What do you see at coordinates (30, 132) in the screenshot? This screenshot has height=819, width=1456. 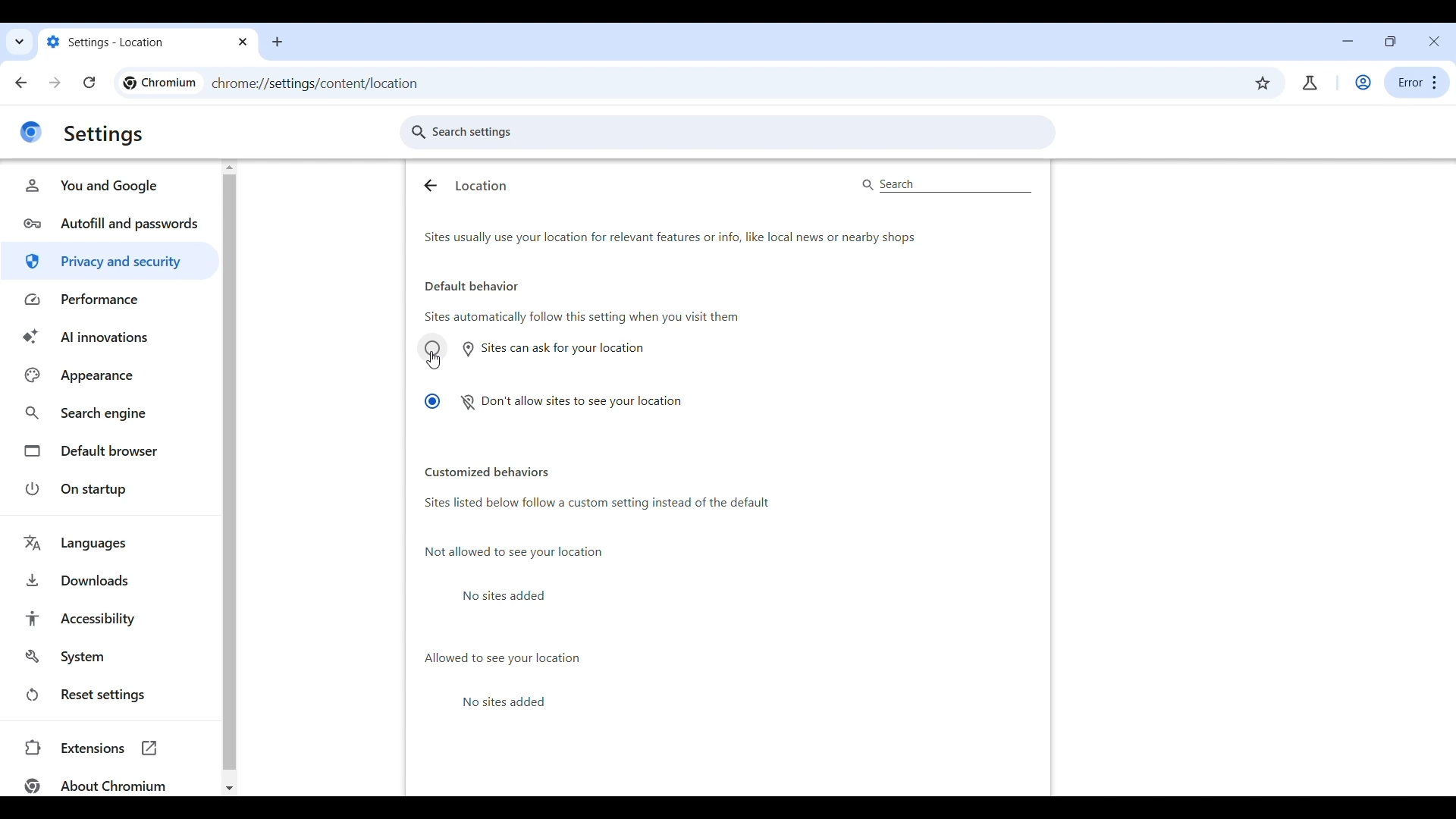 I see `chrome logo` at bounding box center [30, 132].